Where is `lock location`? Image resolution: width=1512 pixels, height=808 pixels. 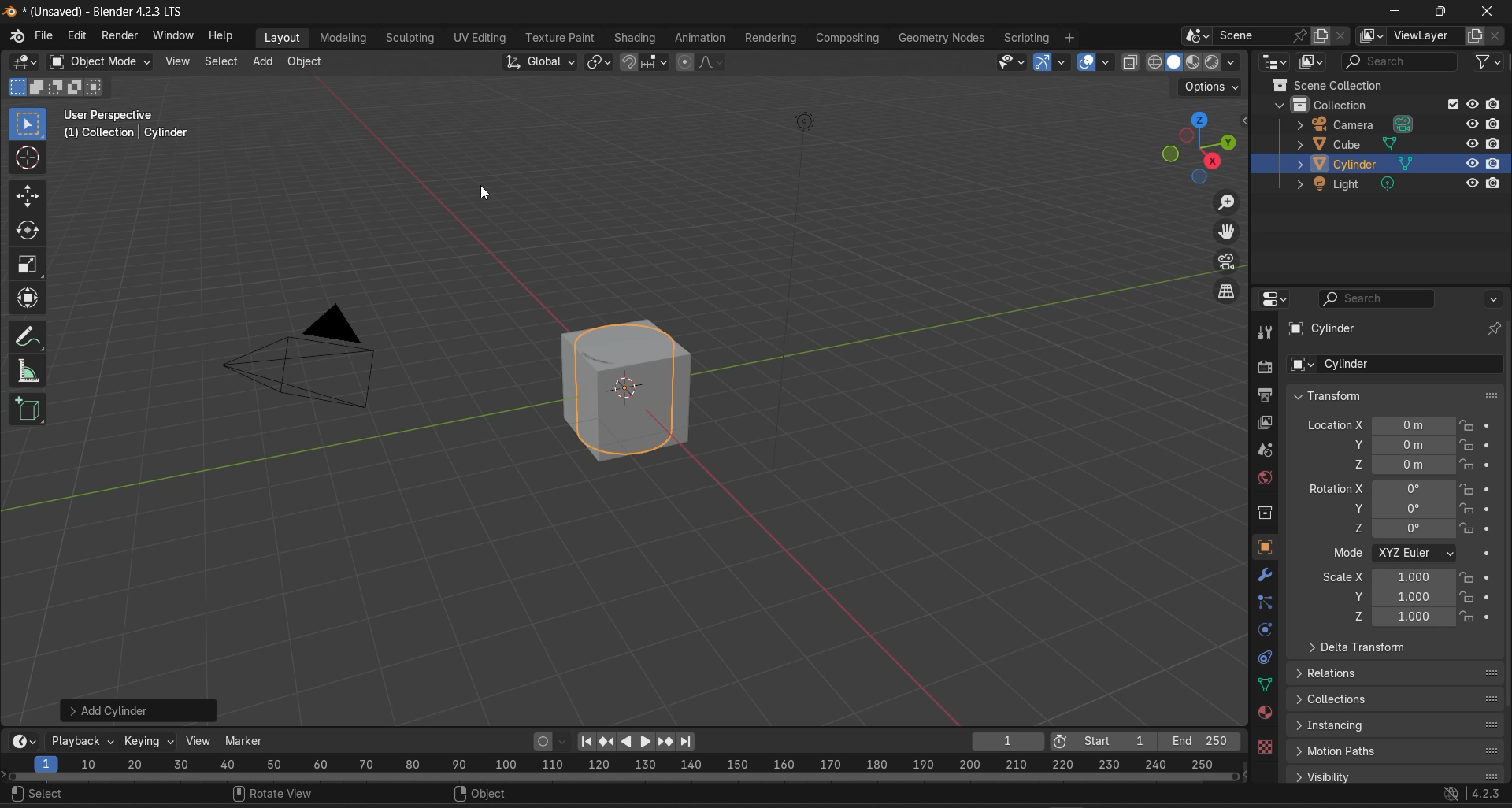 lock location is located at coordinates (1466, 463).